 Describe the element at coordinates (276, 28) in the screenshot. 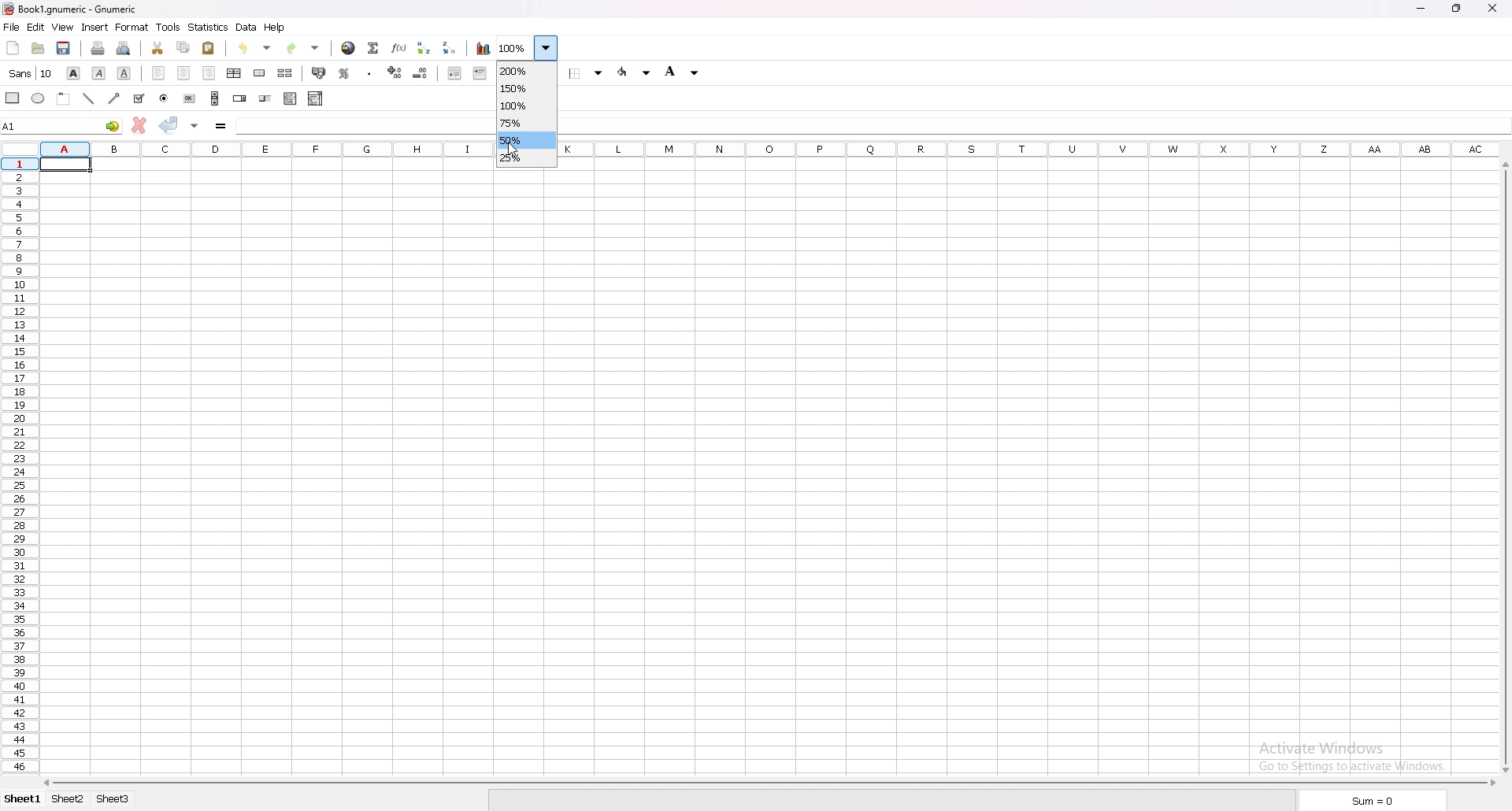

I see `help` at that location.